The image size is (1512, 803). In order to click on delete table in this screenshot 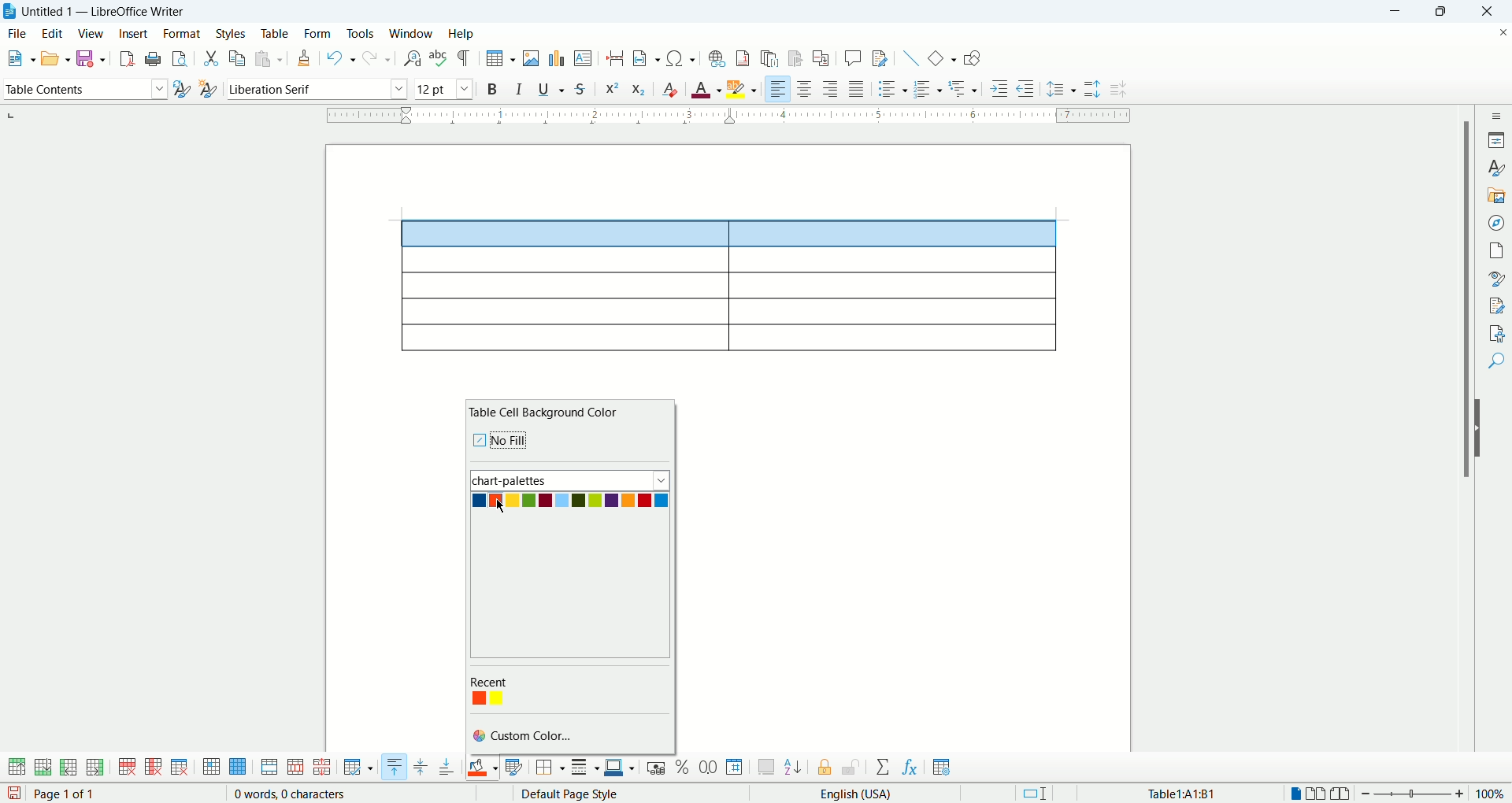, I will do `click(180, 767)`.